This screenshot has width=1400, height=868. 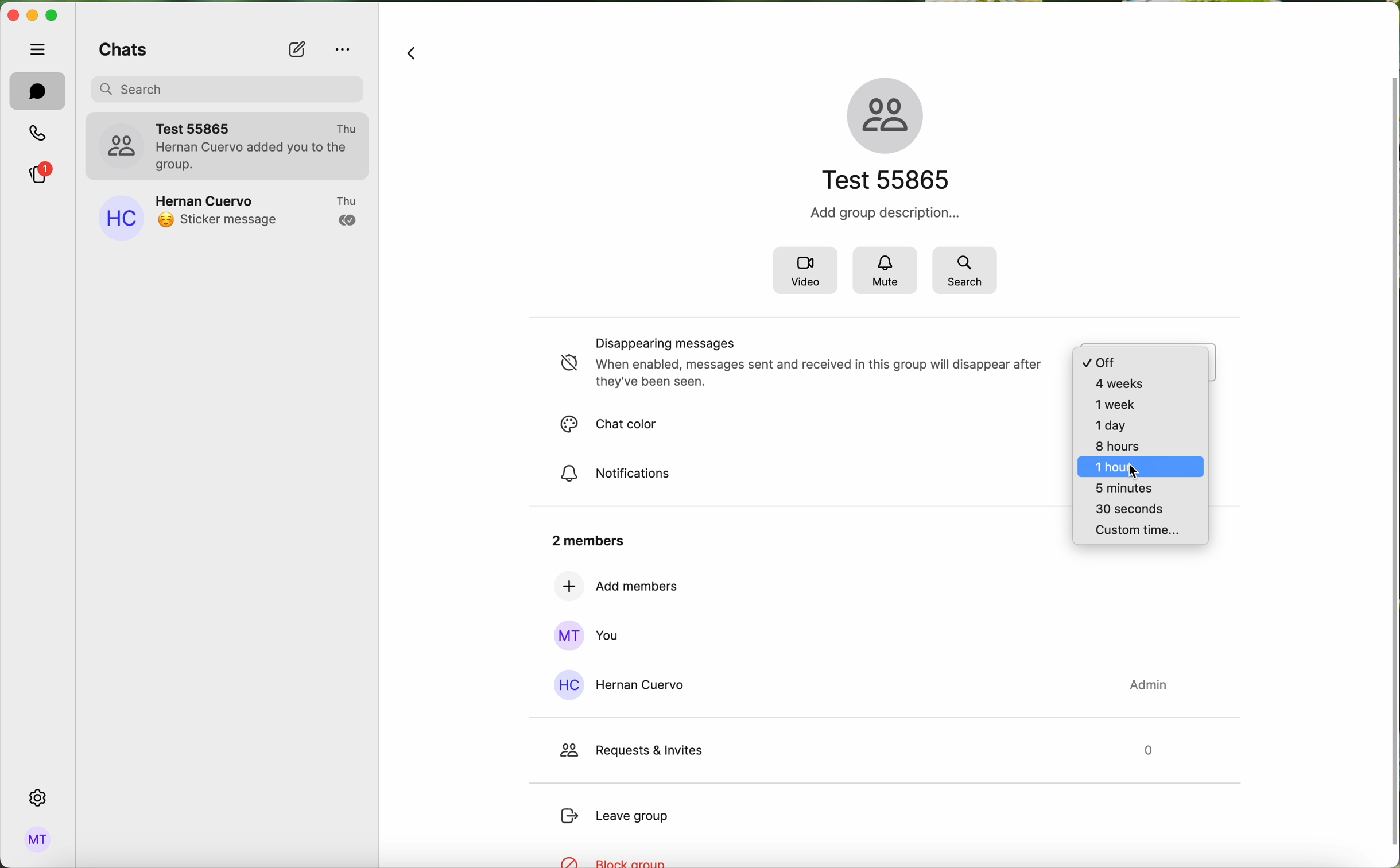 What do you see at coordinates (297, 51) in the screenshot?
I see `new chat` at bounding box center [297, 51].